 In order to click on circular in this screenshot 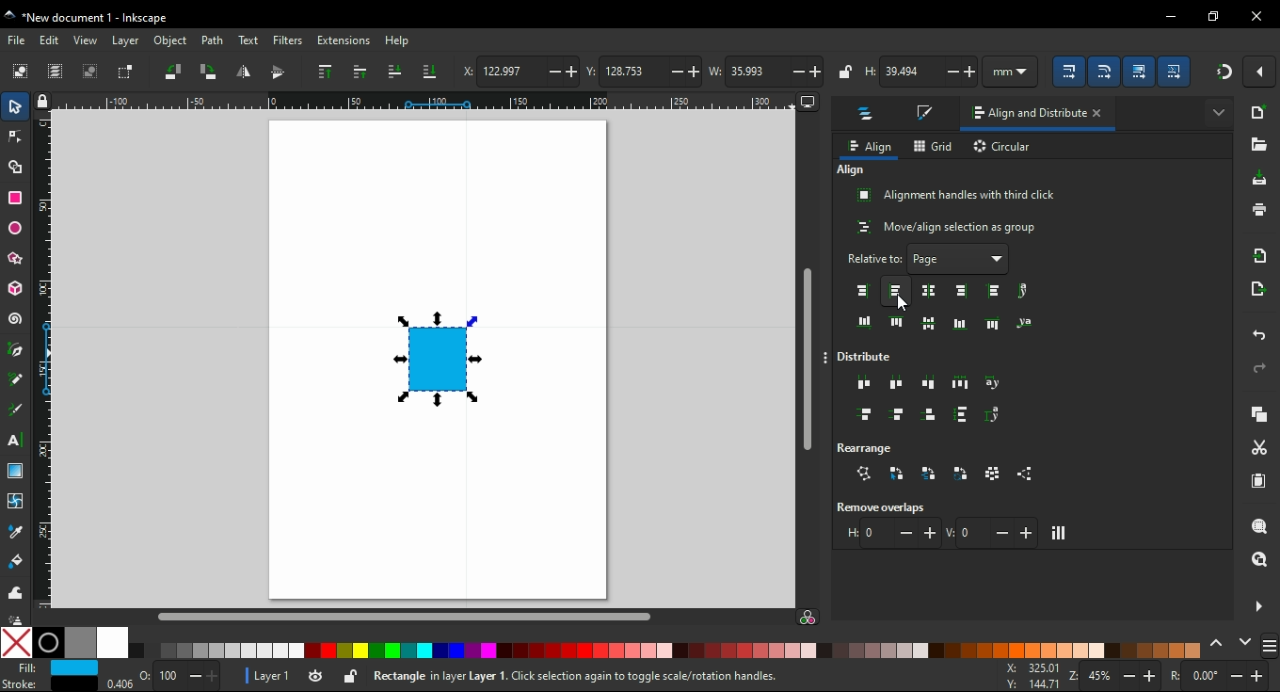, I will do `click(1004, 147)`.